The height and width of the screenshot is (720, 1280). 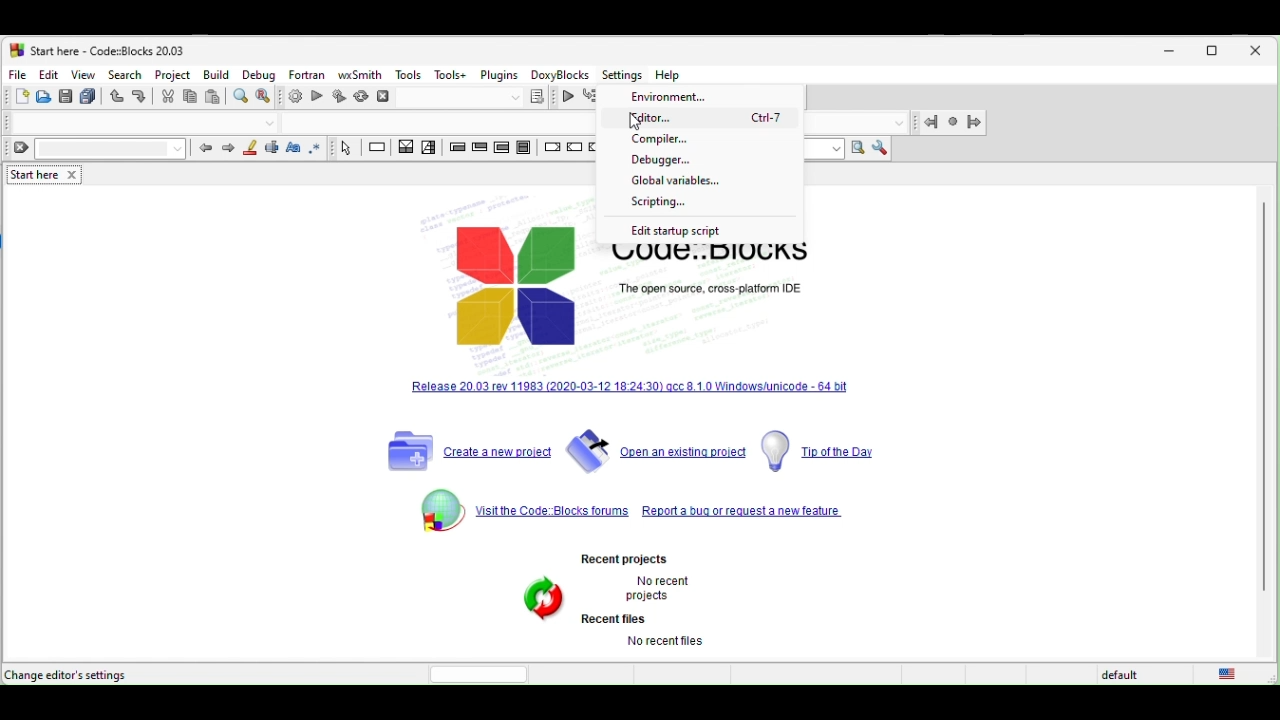 What do you see at coordinates (659, 452) in the screenshot?
I see `open an existing project` at bounding box center [659, 452].